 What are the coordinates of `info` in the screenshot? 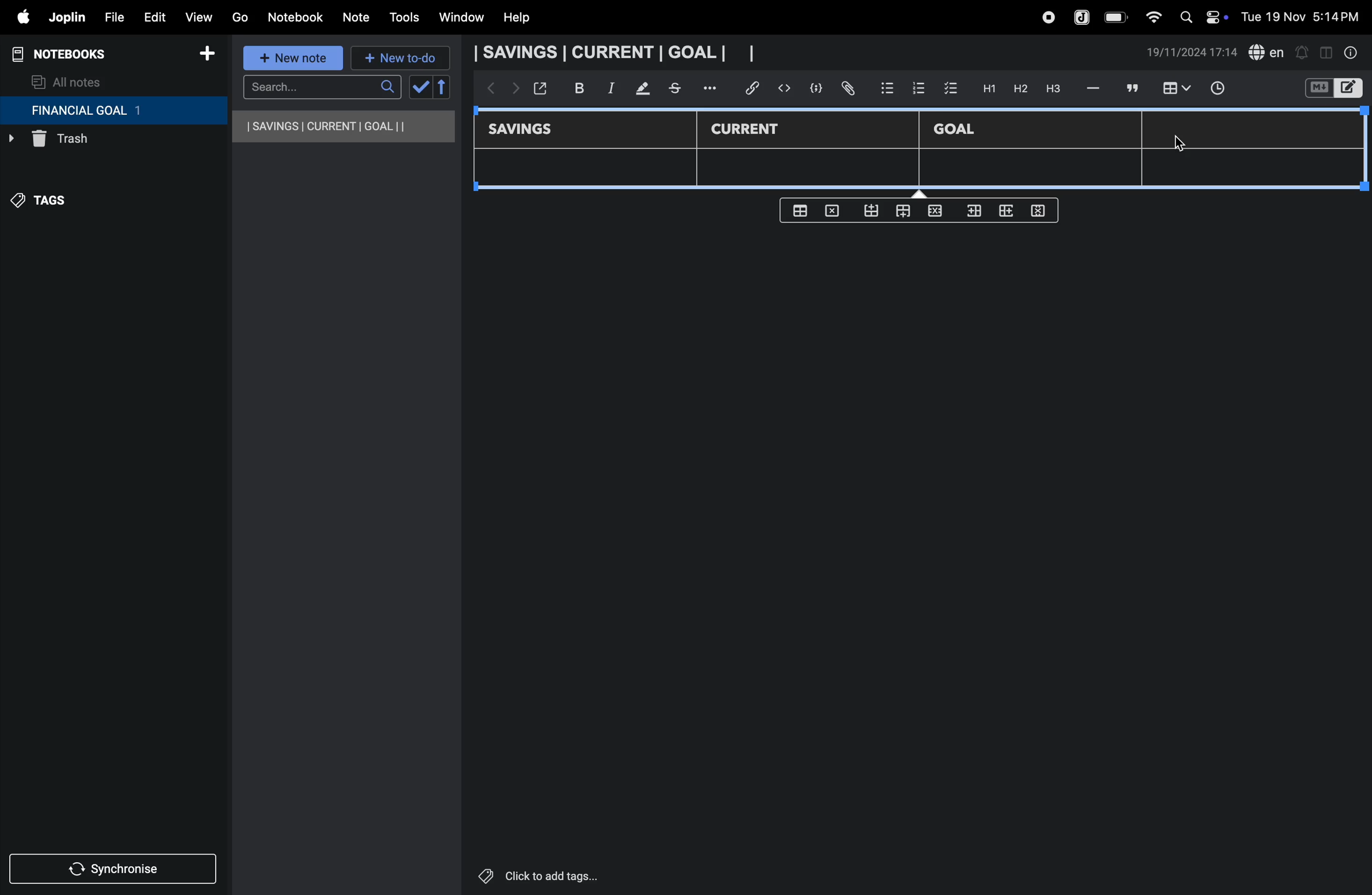 It's located at (1352, 52).